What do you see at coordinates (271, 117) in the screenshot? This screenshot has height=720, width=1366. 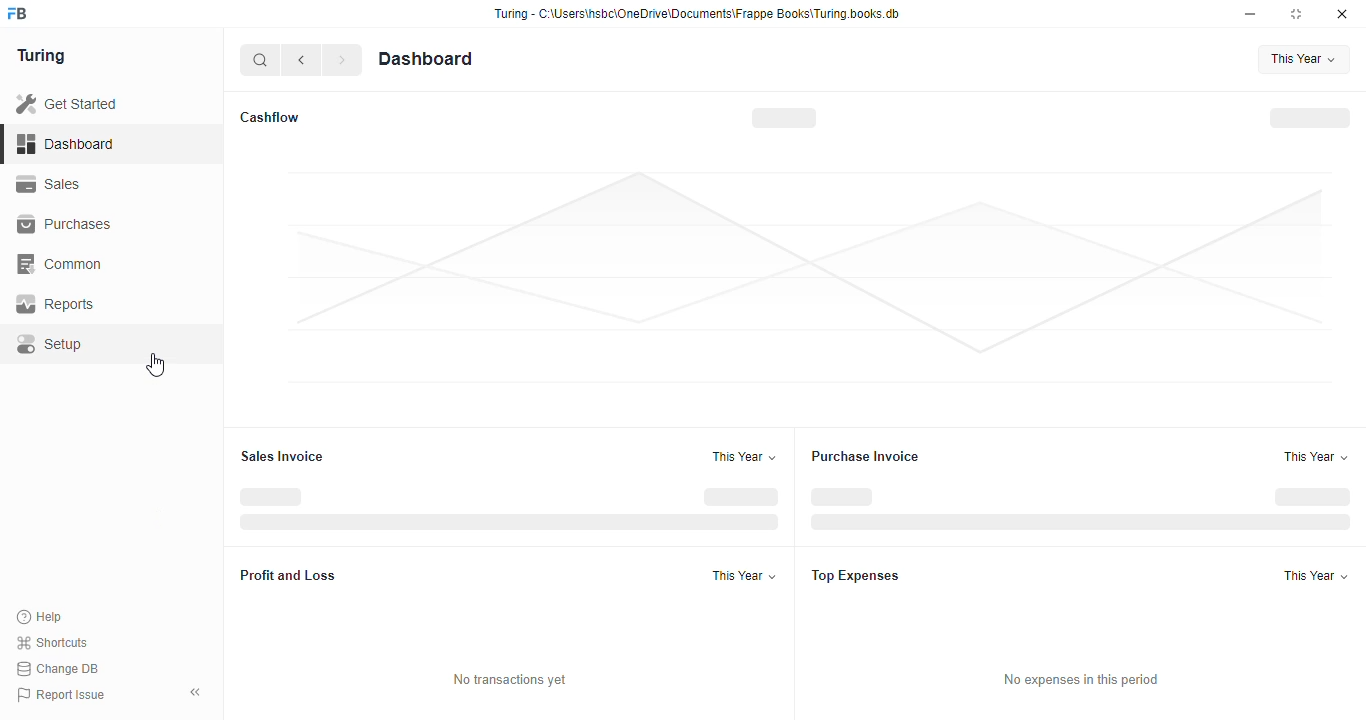 I see `cashflow` at bounding box center [271, 117].